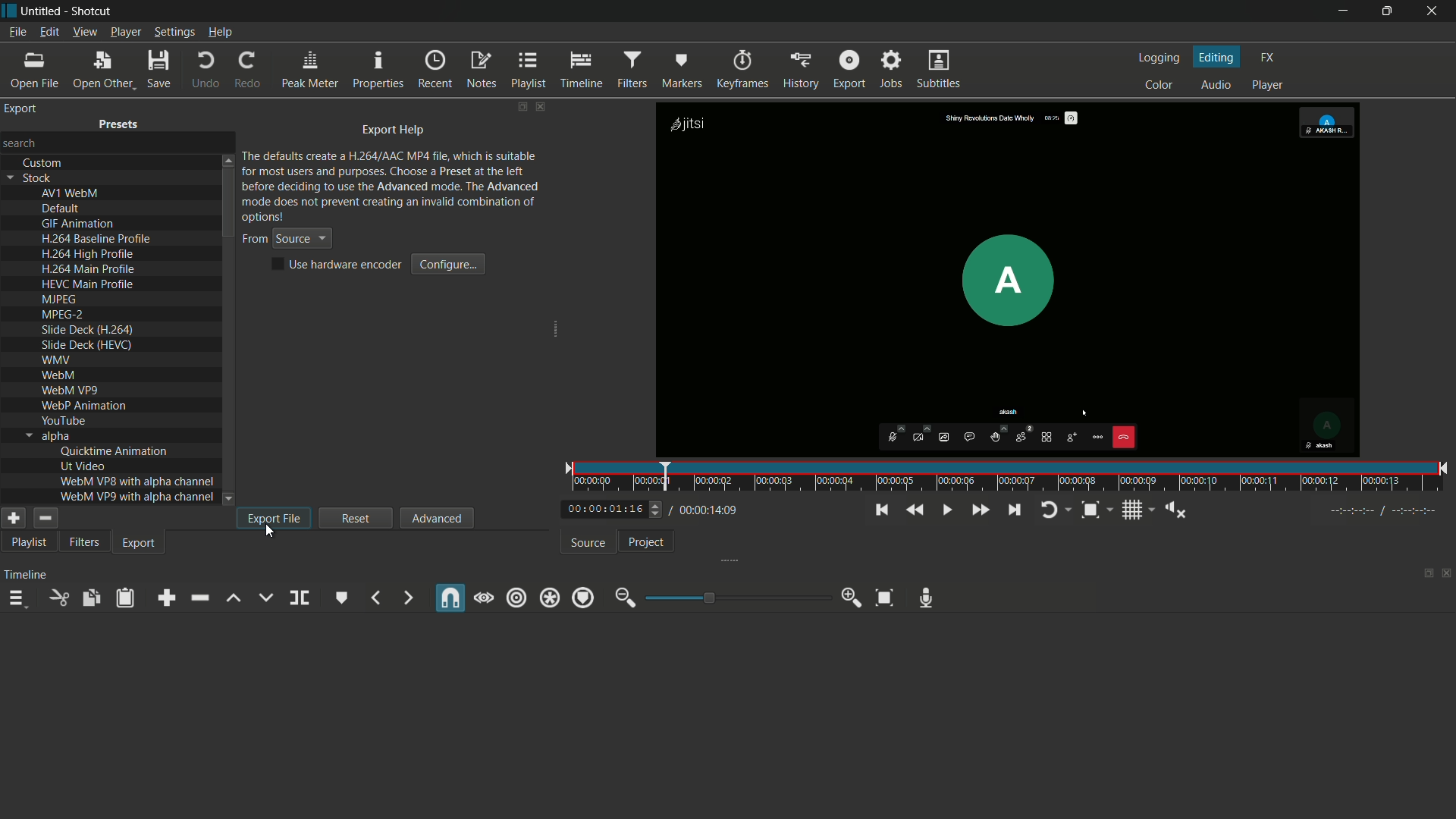 The image size is (1456, 819). I want to click on filters, so click(630, 71).